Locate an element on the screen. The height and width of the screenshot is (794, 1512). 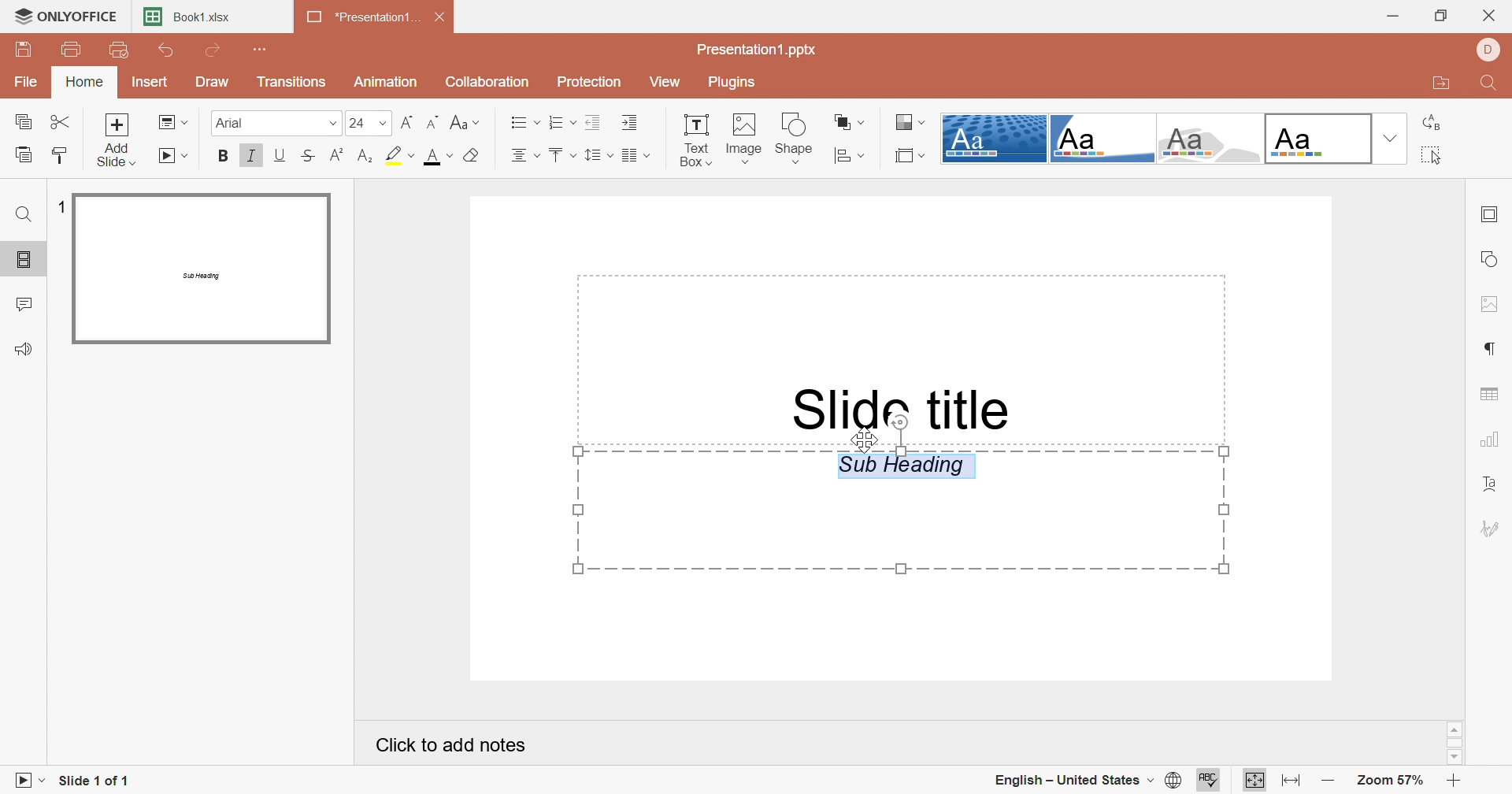
Cut is located at coordinates (61, 121).